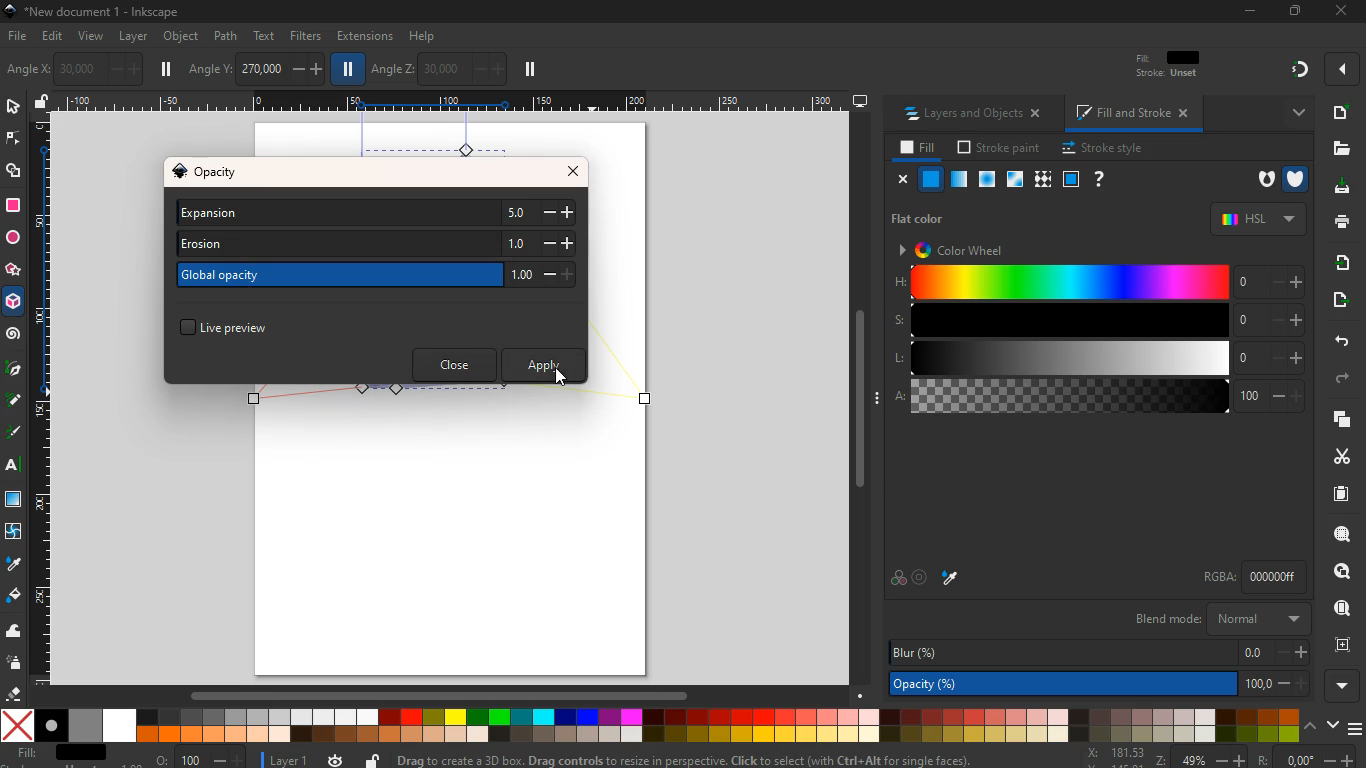 The height and width of the screenshot is (768, 1366). Describe the element at coordinates (15, 694) in the screenshot. I see `erase` at that location.